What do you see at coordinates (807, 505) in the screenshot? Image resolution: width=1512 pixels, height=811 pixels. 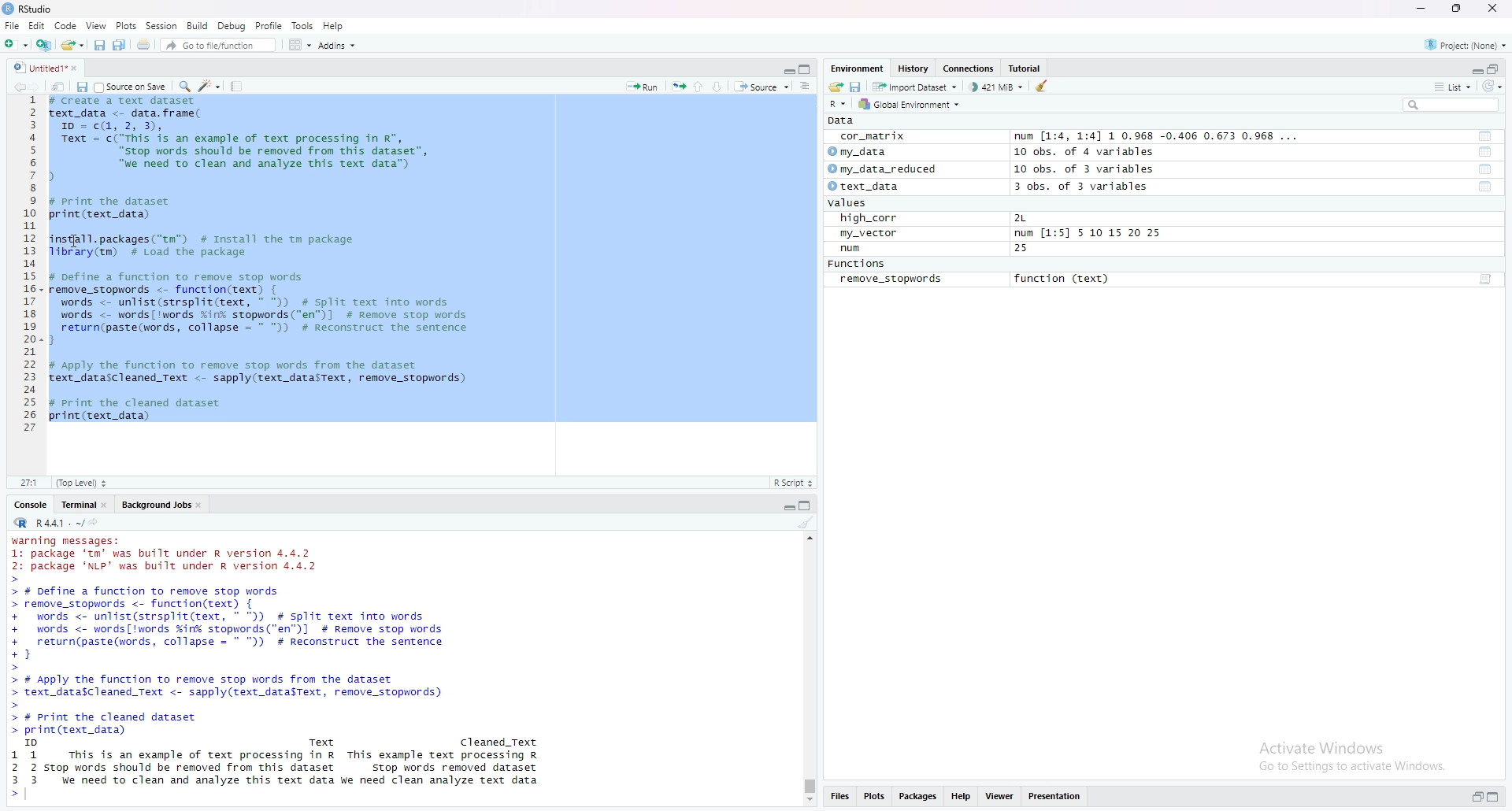 I see `collapse` at bounding box center [807, 505].